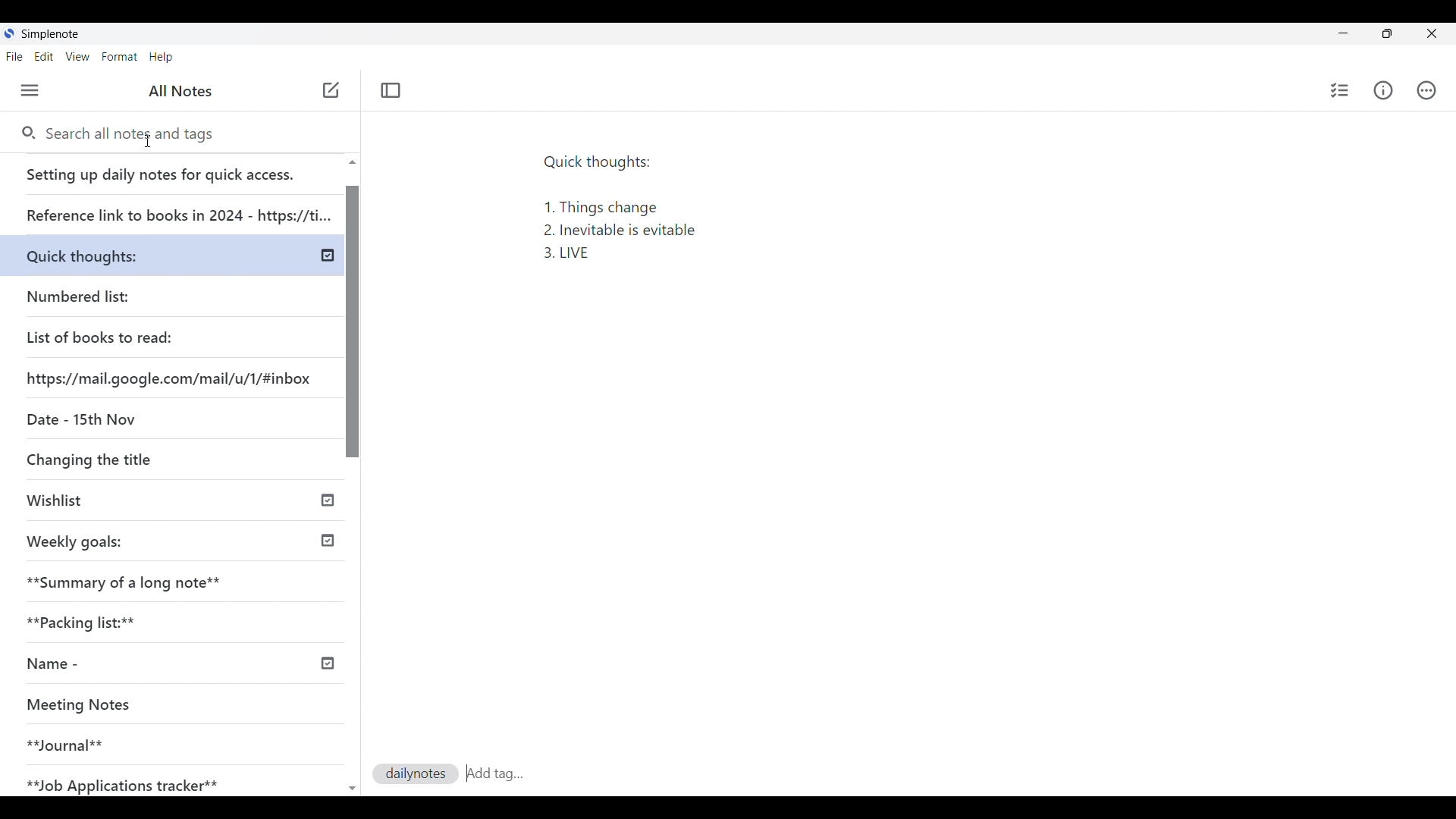  I want to click on published, so click(326, 664).